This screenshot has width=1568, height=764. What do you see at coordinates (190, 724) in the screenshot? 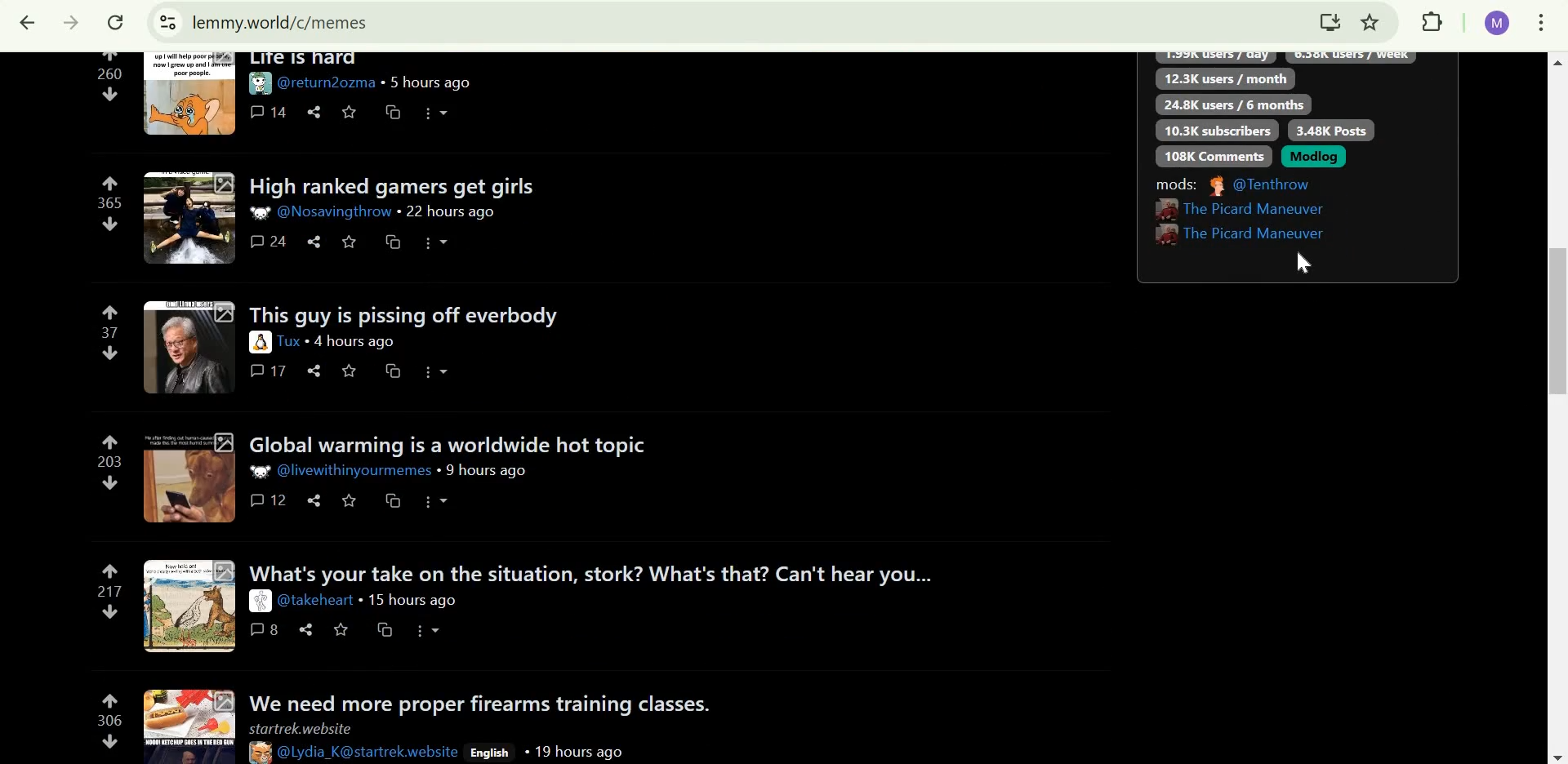
I see `expand here` at bounding box center [190, 724].